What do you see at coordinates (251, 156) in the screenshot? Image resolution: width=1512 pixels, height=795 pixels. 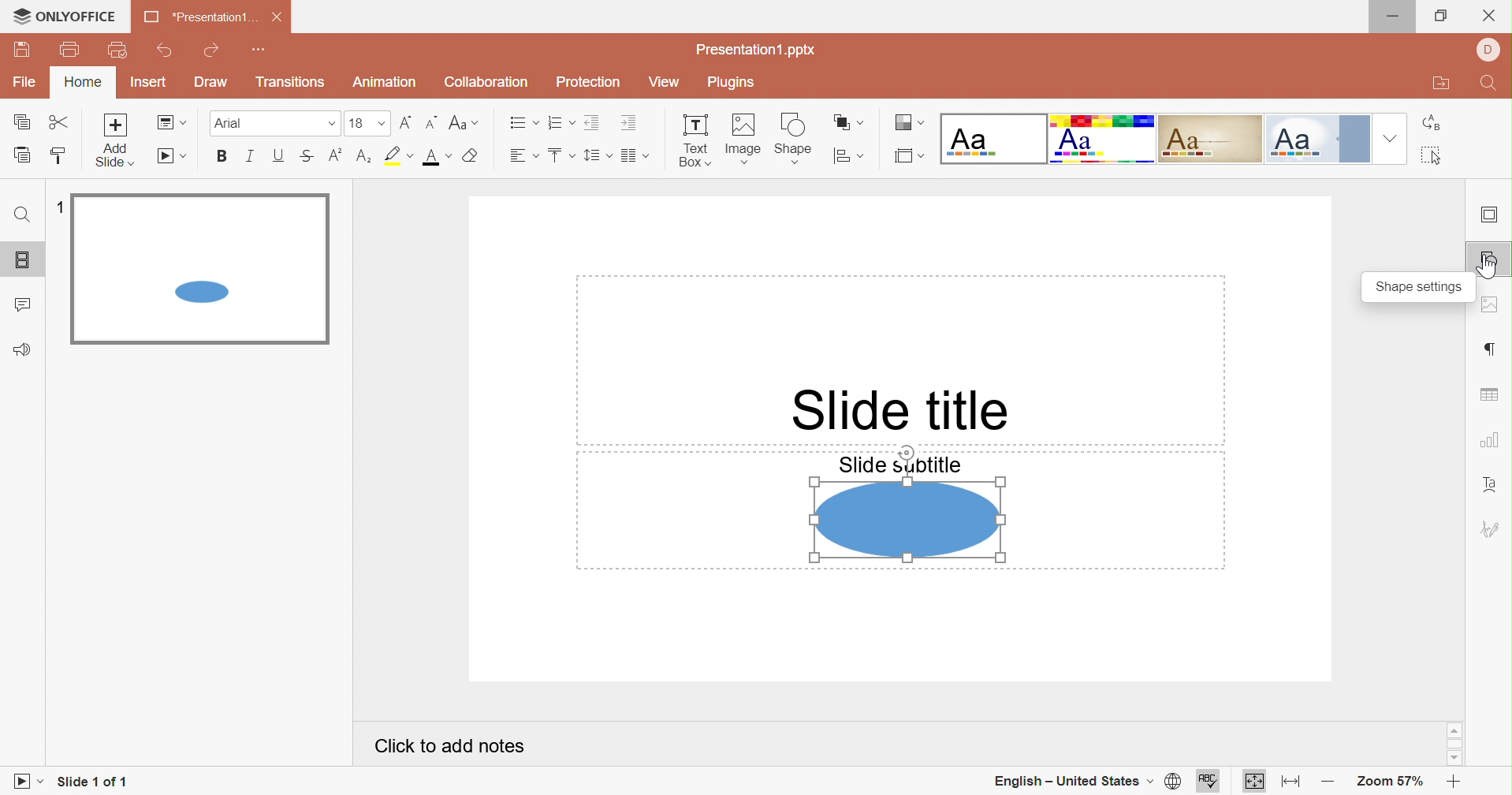 I see `Italic` at bounding box center [251, 156].